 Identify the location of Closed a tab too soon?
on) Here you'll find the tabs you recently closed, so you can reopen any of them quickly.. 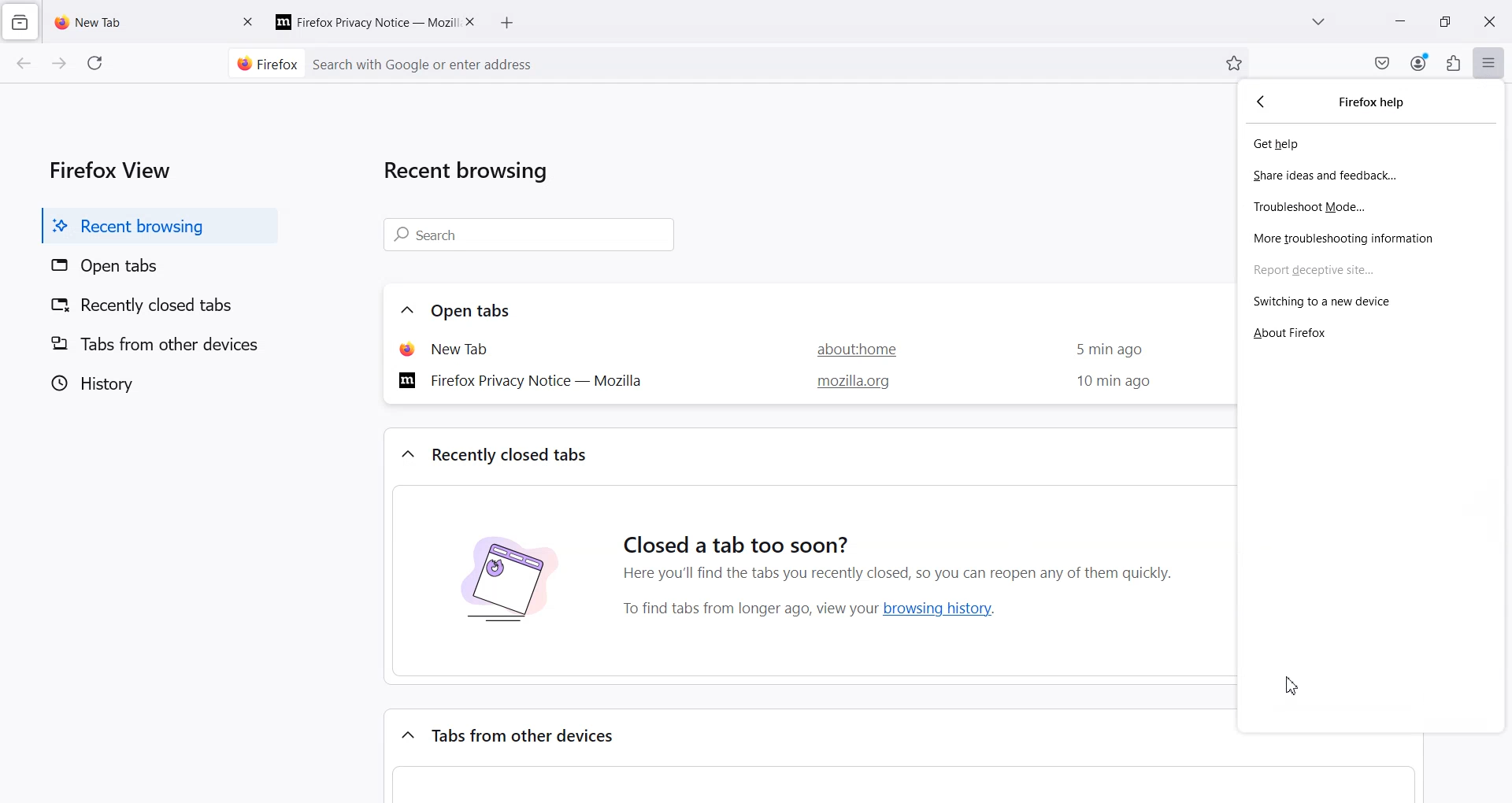
(907, 545).